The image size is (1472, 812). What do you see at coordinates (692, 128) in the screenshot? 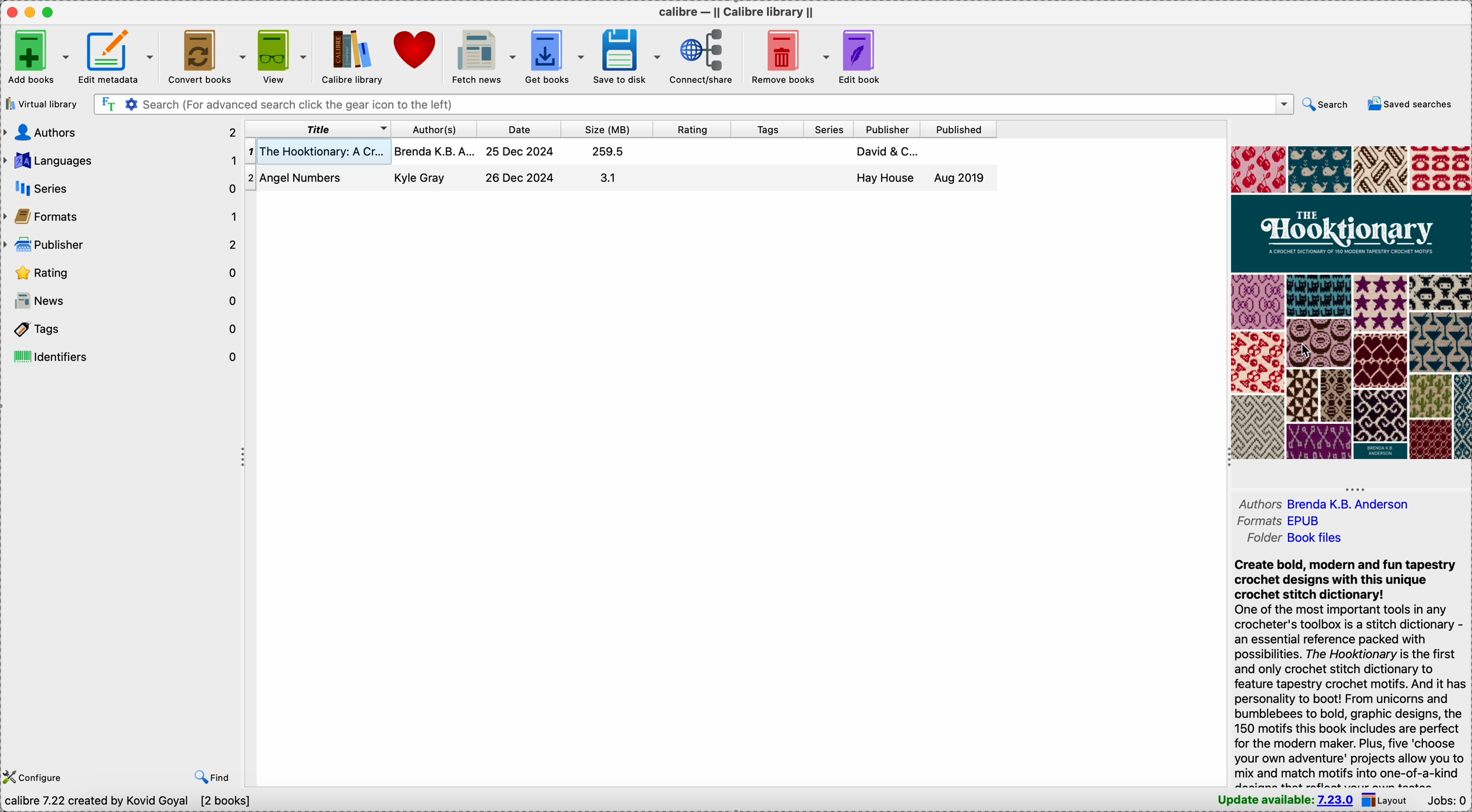
I see `rating` at bounding box center [692, 128].